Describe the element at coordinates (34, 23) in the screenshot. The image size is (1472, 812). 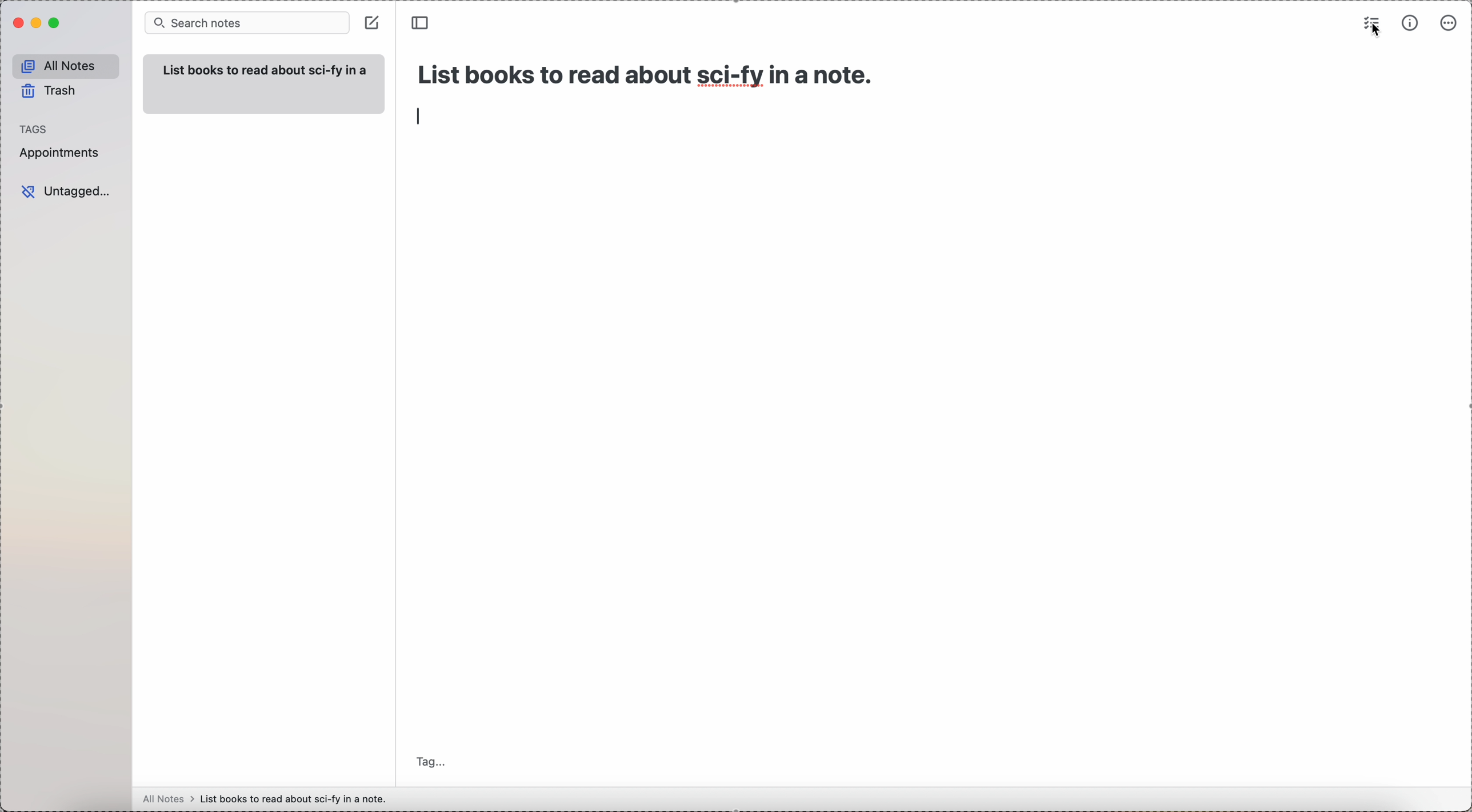
I see `minimize` at that location.